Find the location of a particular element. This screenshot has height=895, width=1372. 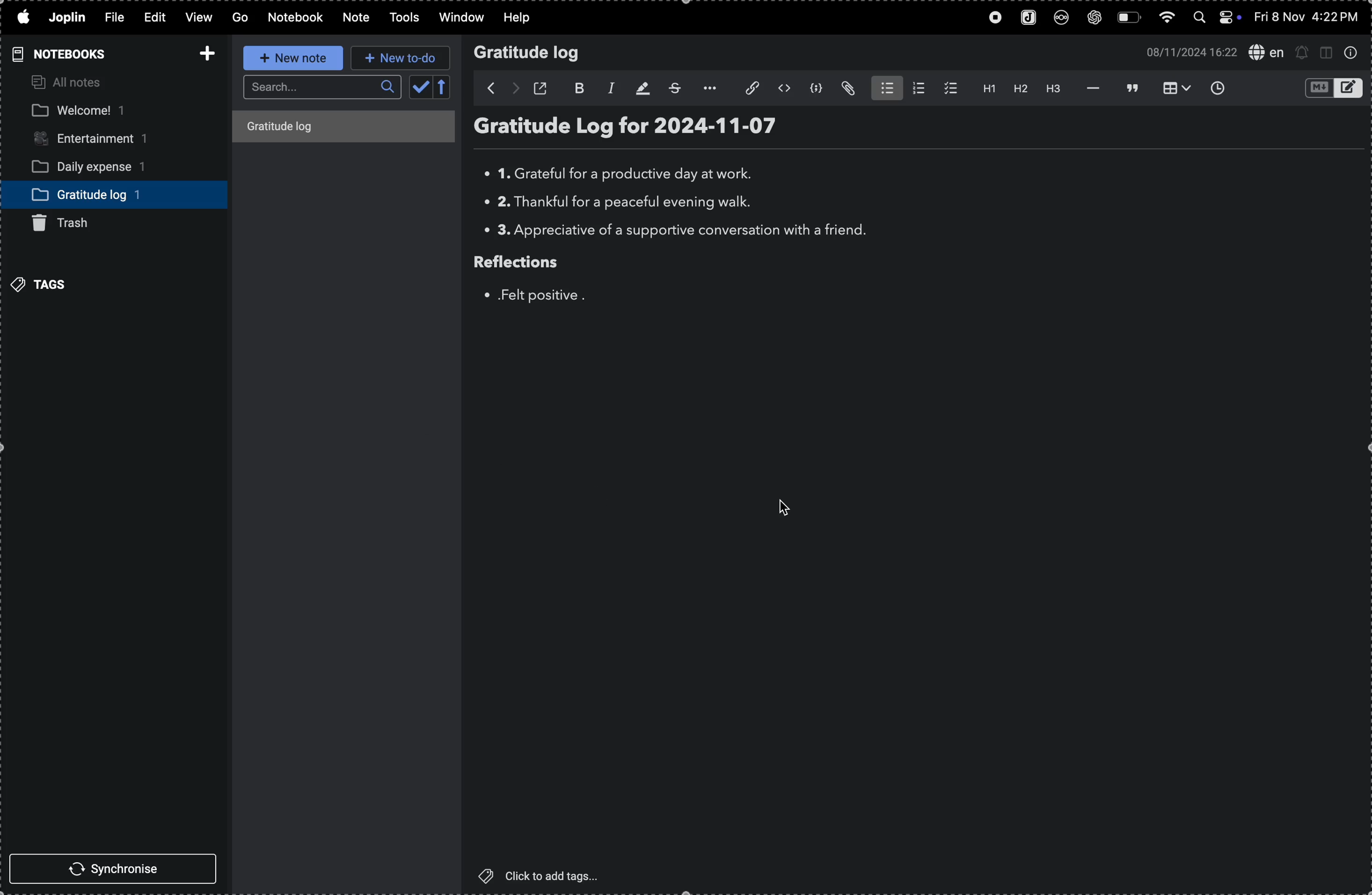

nextcloud is located at coordinates (1063, 17).